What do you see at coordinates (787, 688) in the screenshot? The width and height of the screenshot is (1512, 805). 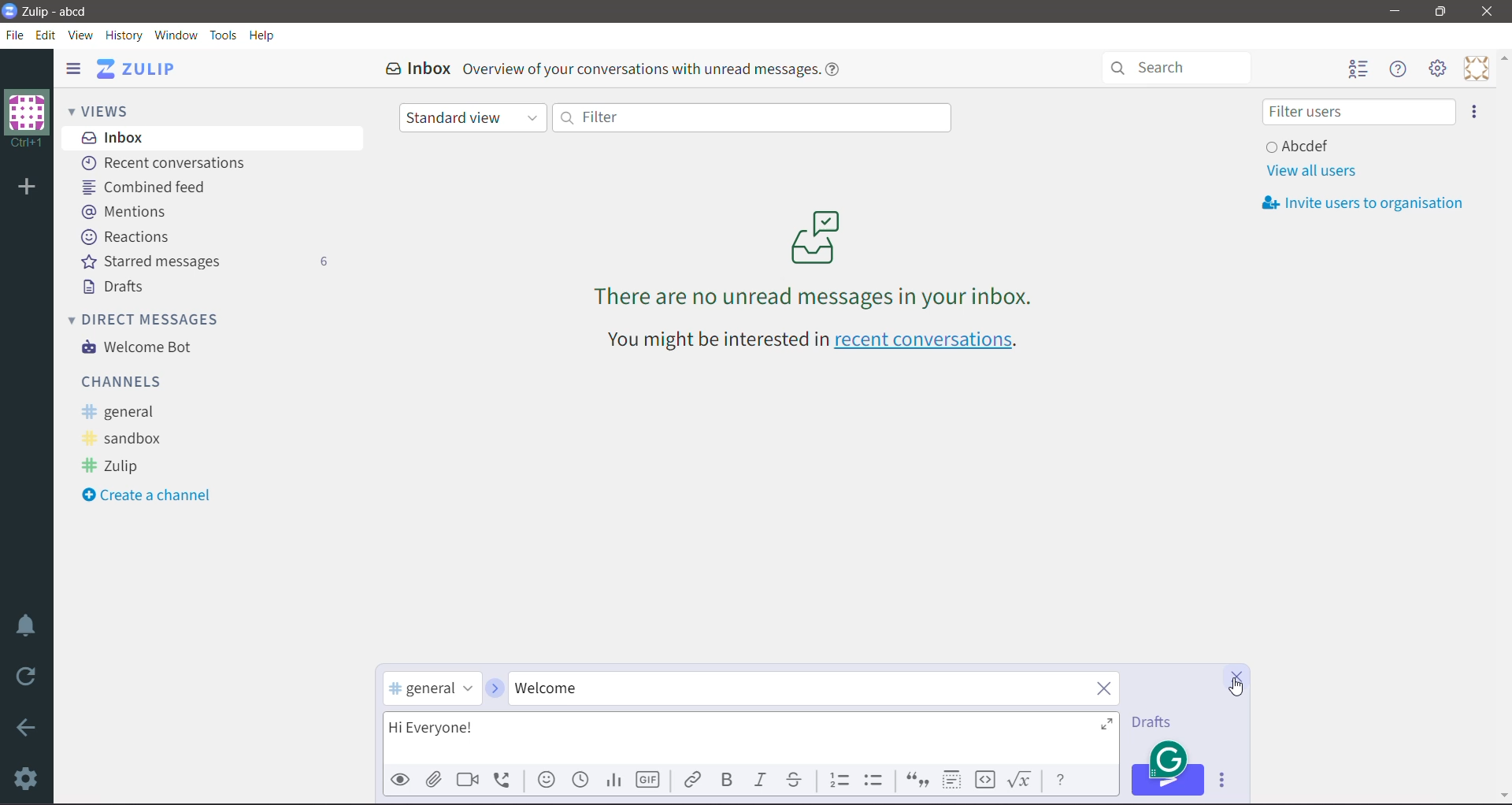 I see `Type the required Topic` at bounding box center [787, 688].